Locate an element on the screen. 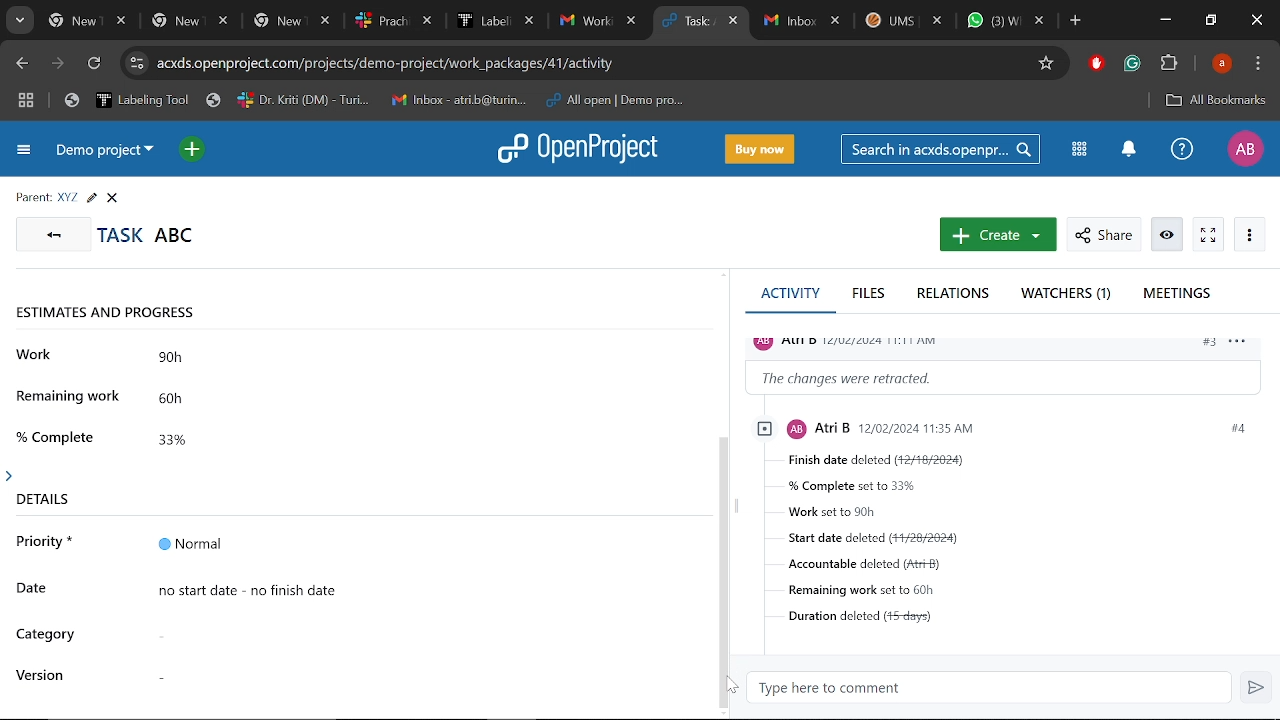 The height and width of the screenshot is (720, 1280). Version is located at coordinates (414, 671).